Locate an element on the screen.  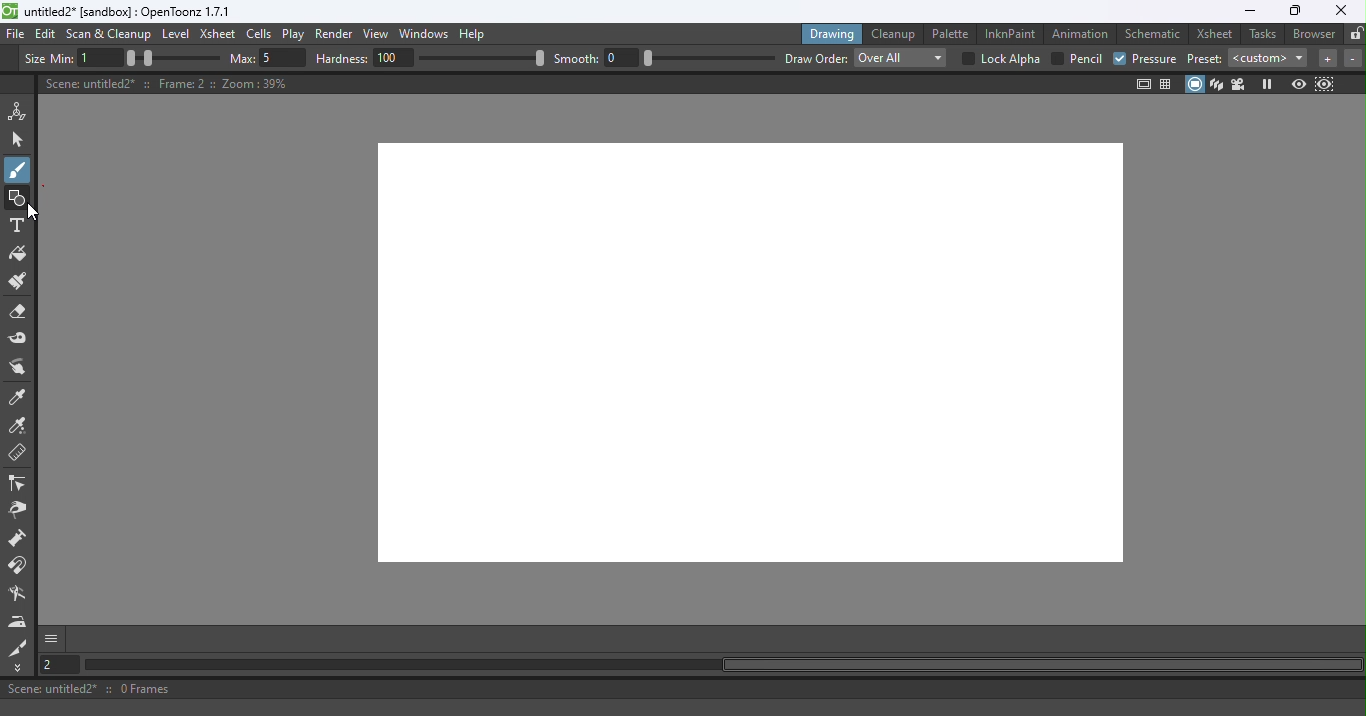
Hardness is located at coordinates (343, 59).